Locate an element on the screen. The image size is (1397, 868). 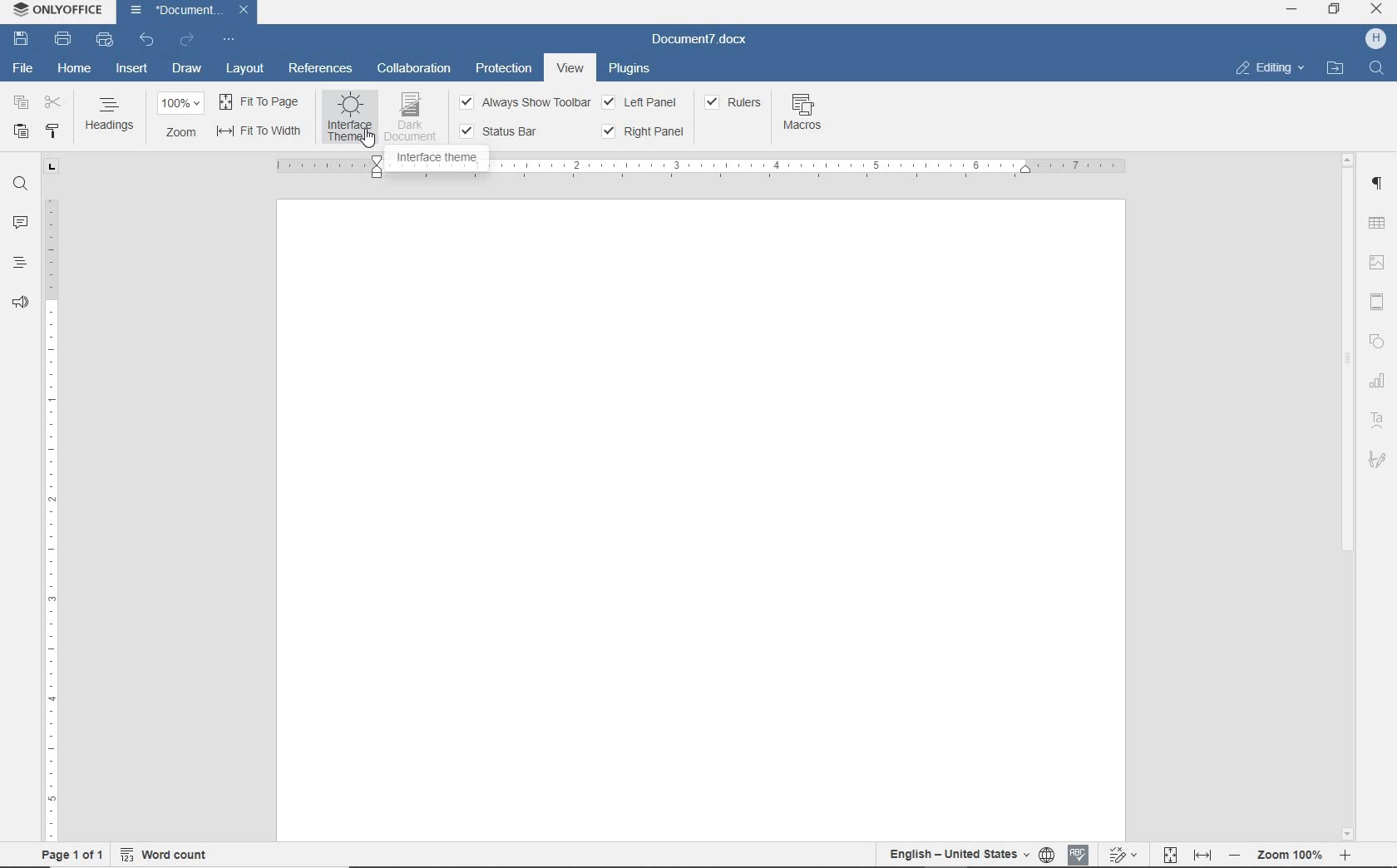
HEADER & FOOTER is located at coordinates (1377, 301).